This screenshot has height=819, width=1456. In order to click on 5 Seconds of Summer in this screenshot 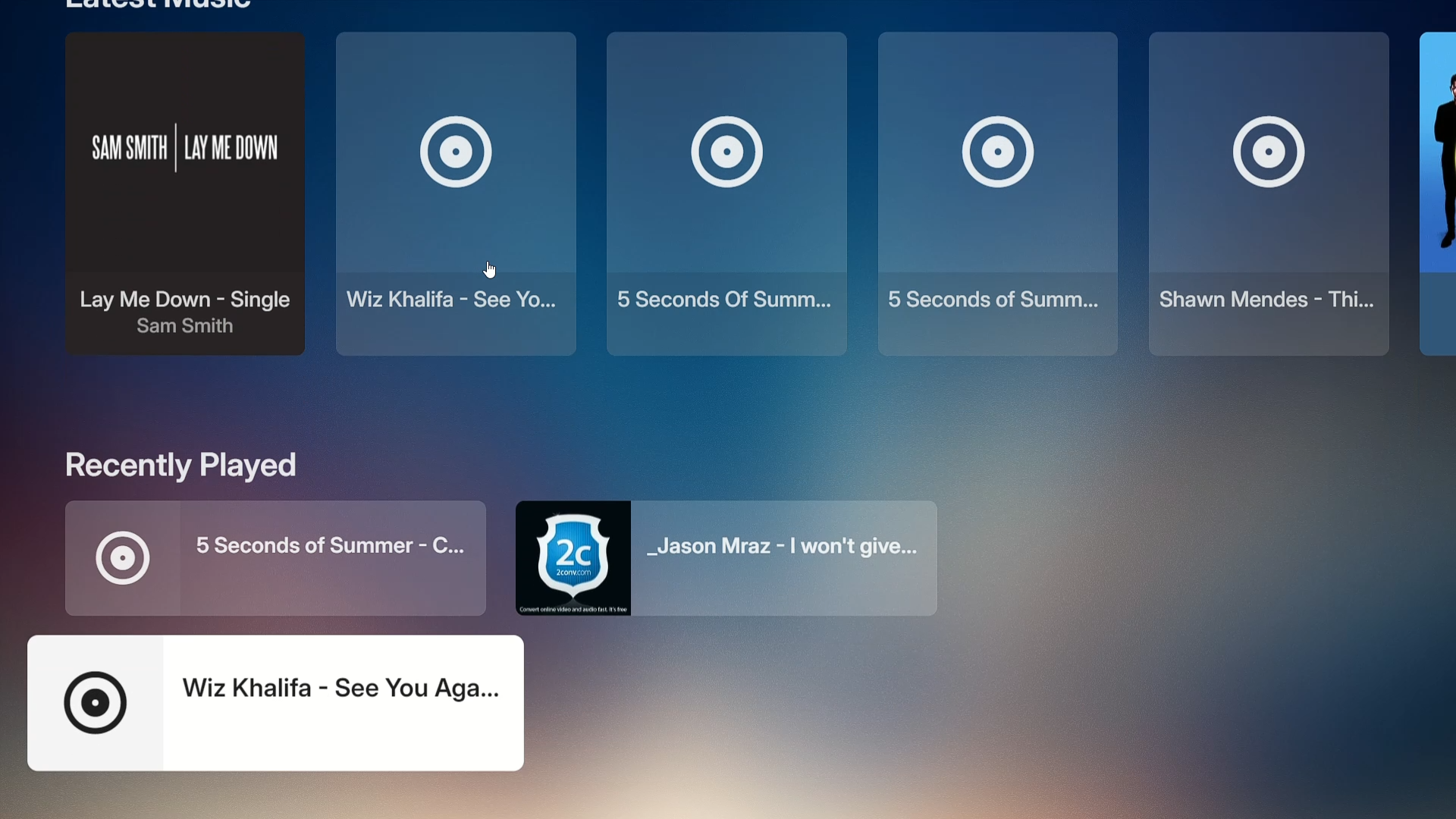, I will do `click(287, 557)`.